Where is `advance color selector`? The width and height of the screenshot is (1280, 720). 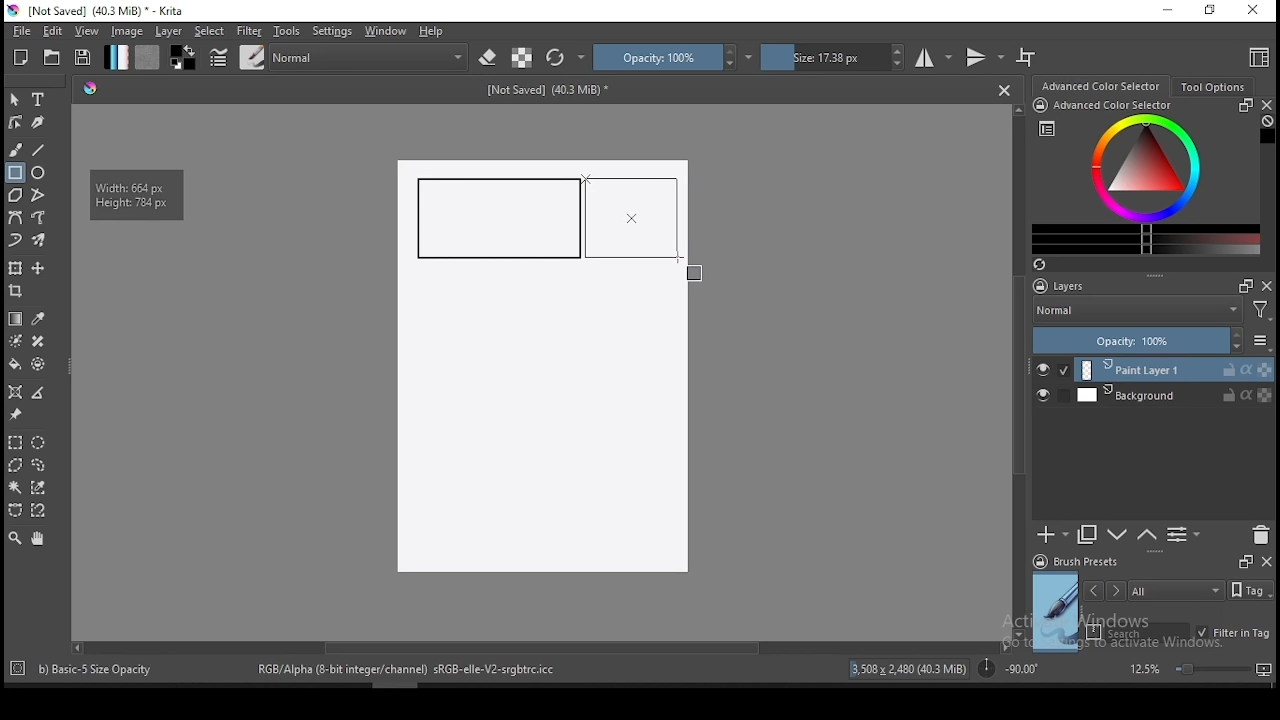
advance color selector is located at coordinates (1103, 85).